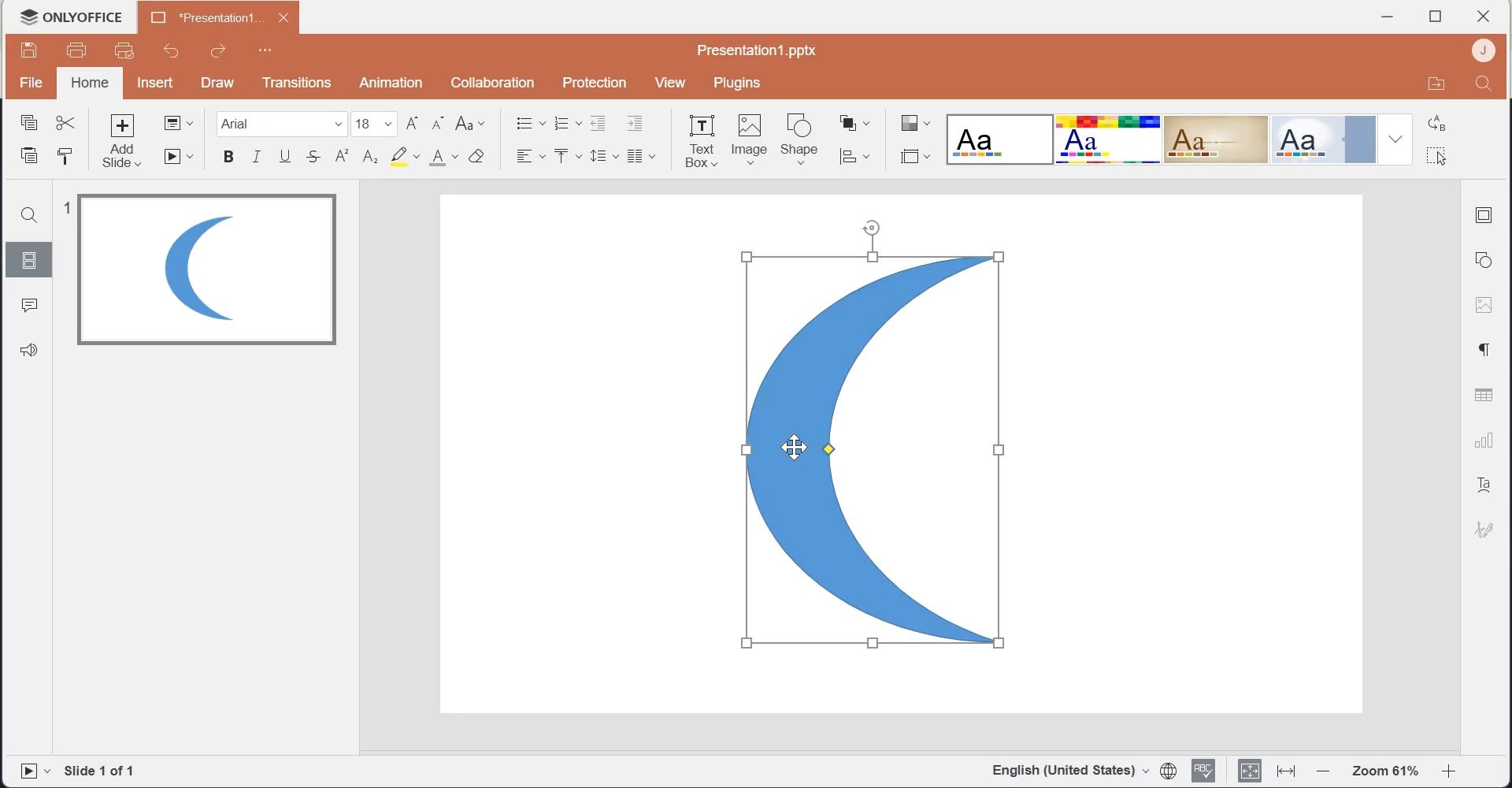  I want to click on Zoom in, so click(1455, 772).